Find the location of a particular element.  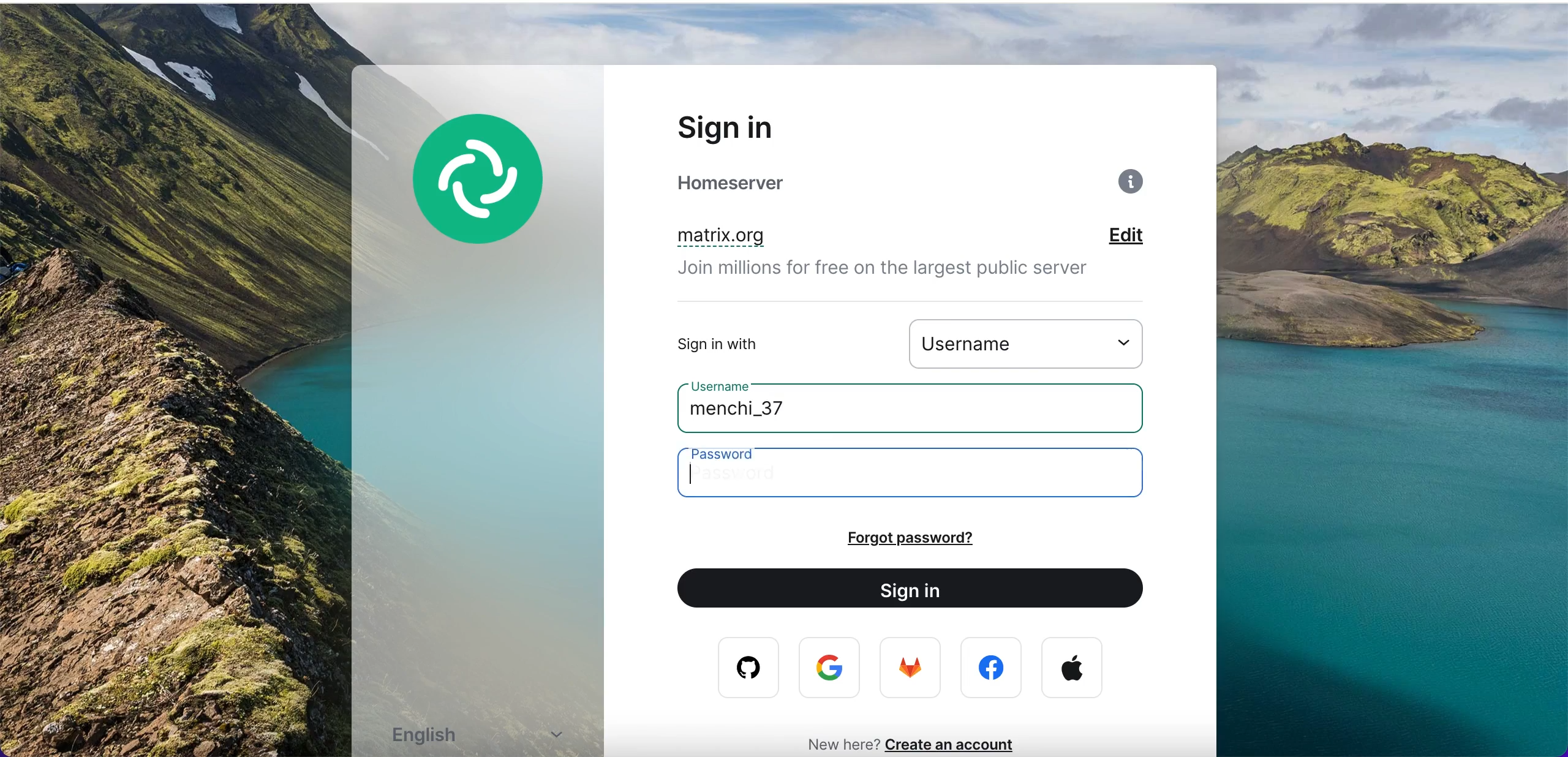

sign in is located at coordinates (921, 590).